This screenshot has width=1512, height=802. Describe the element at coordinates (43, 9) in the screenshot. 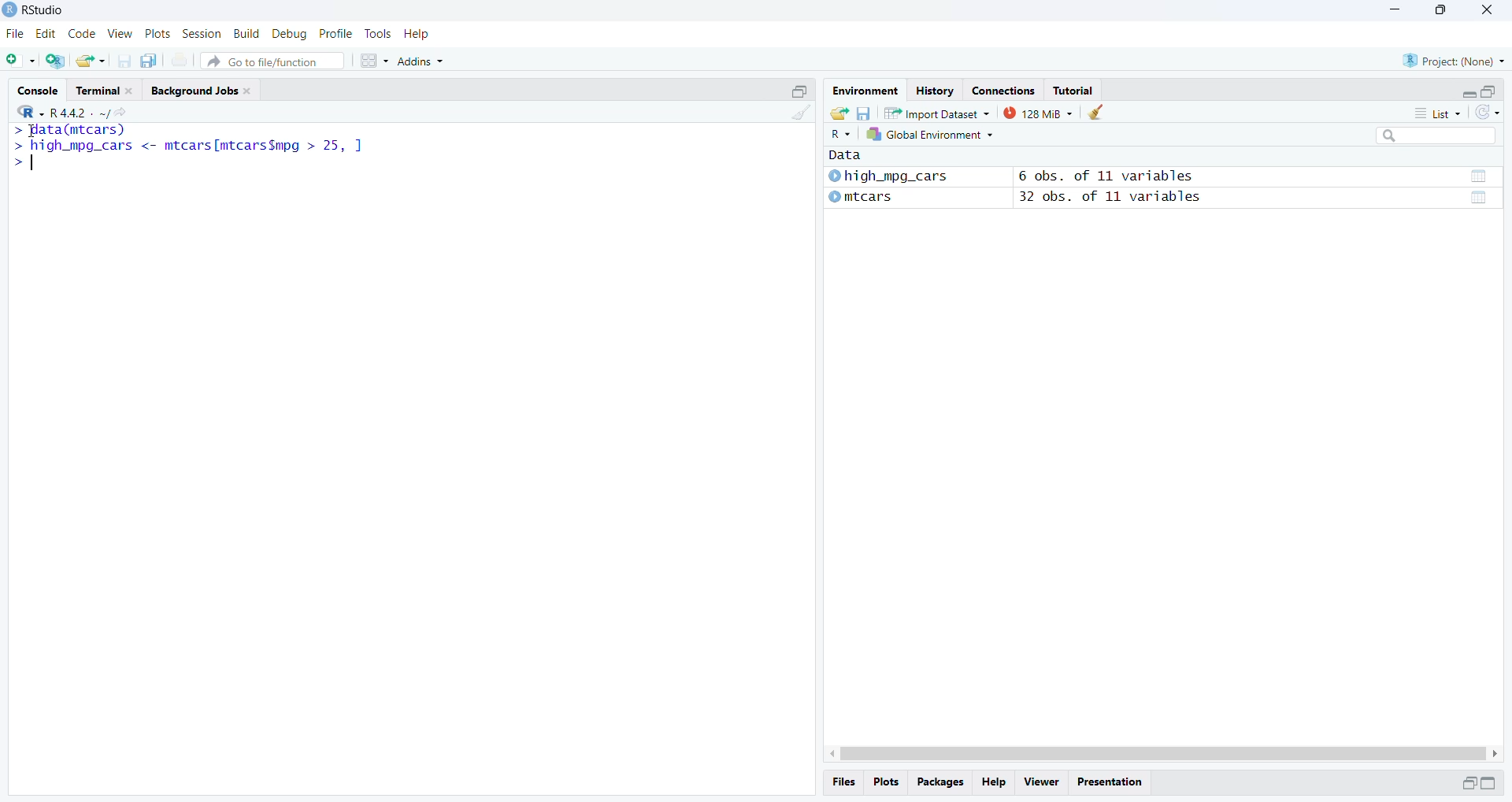

I see `RStudio` at that location.